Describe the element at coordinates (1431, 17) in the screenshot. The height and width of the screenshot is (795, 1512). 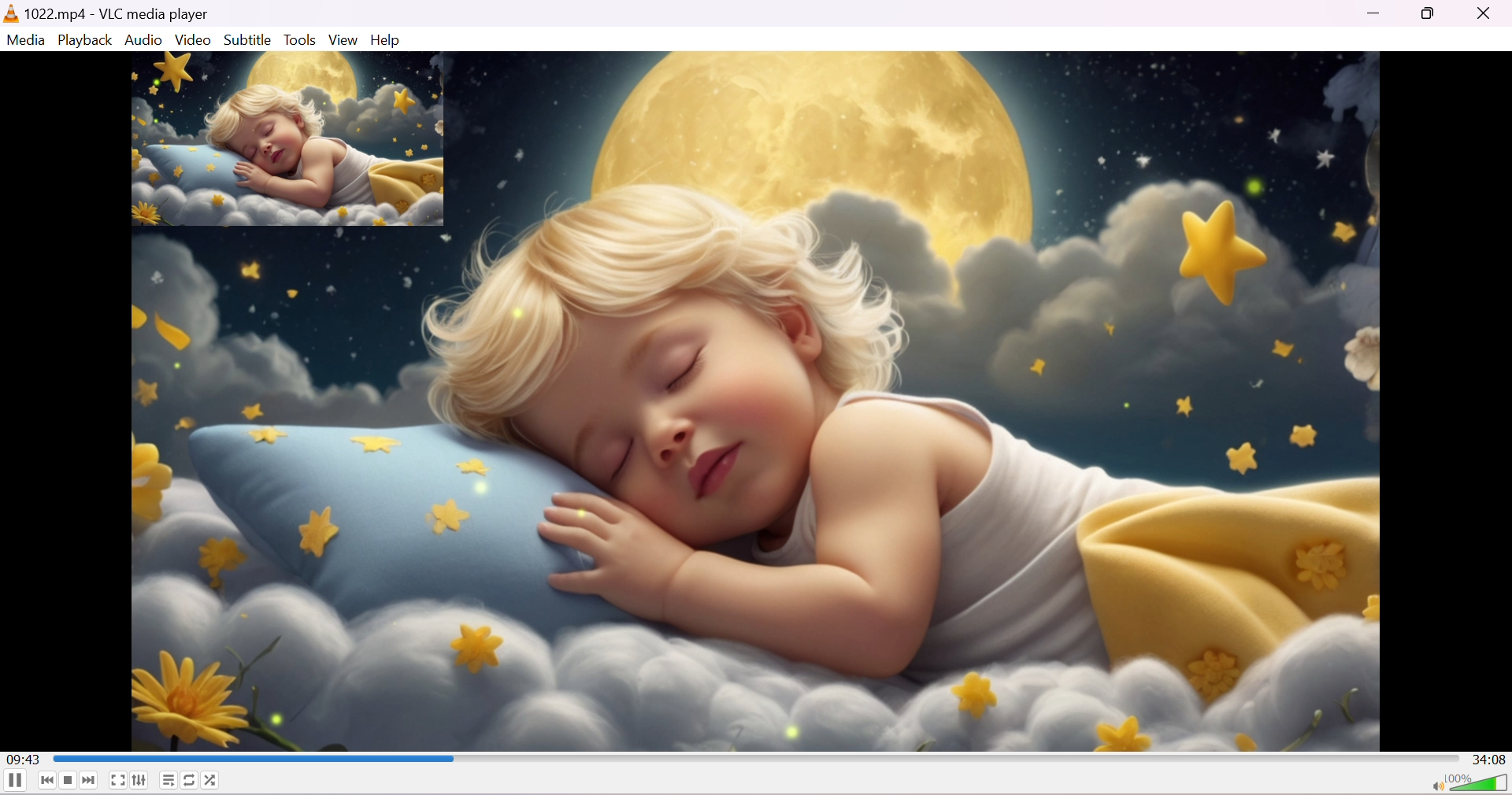
I see `Restore down` at that location.